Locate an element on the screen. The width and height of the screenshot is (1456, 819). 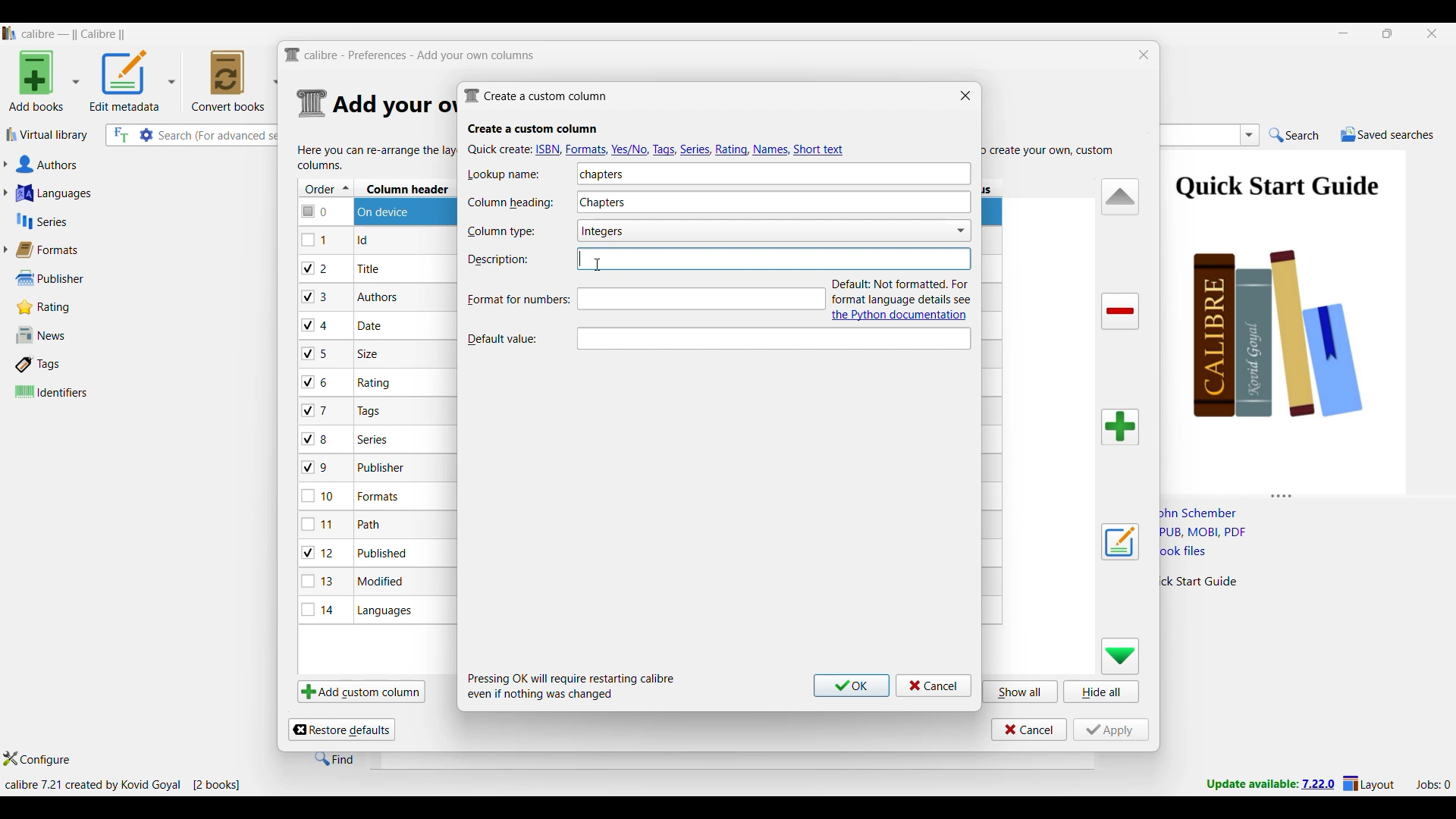
Identifiers is located at coordinates (74, 391).